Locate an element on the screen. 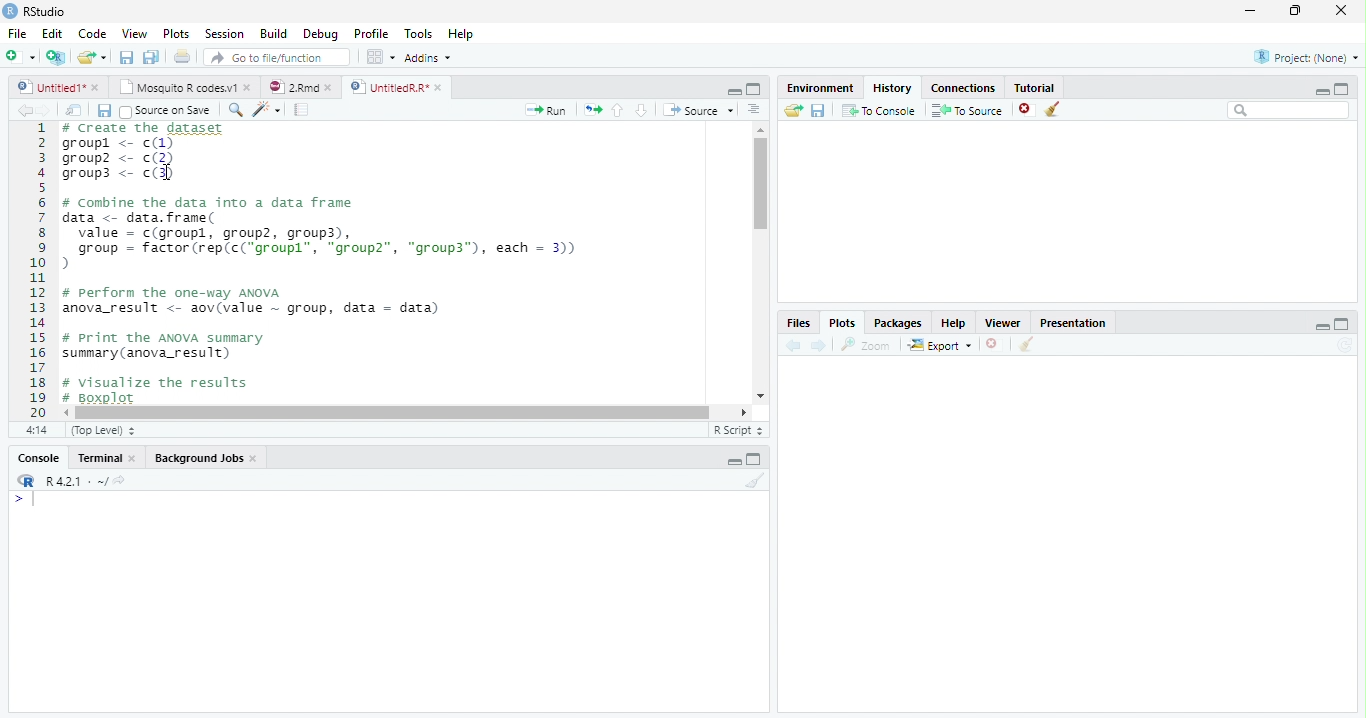 Image resolution: width=1366 pixels, height=718 pixels. Connections is located at coordinates (965, 86).